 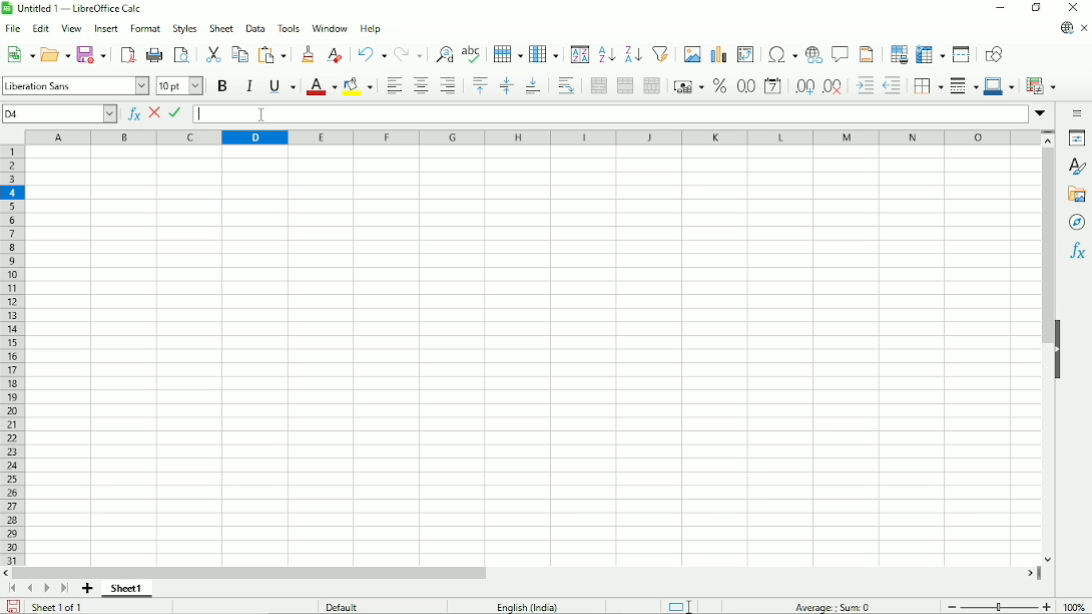 I want to click on Toggle print preview, so click(x=181, y=55).